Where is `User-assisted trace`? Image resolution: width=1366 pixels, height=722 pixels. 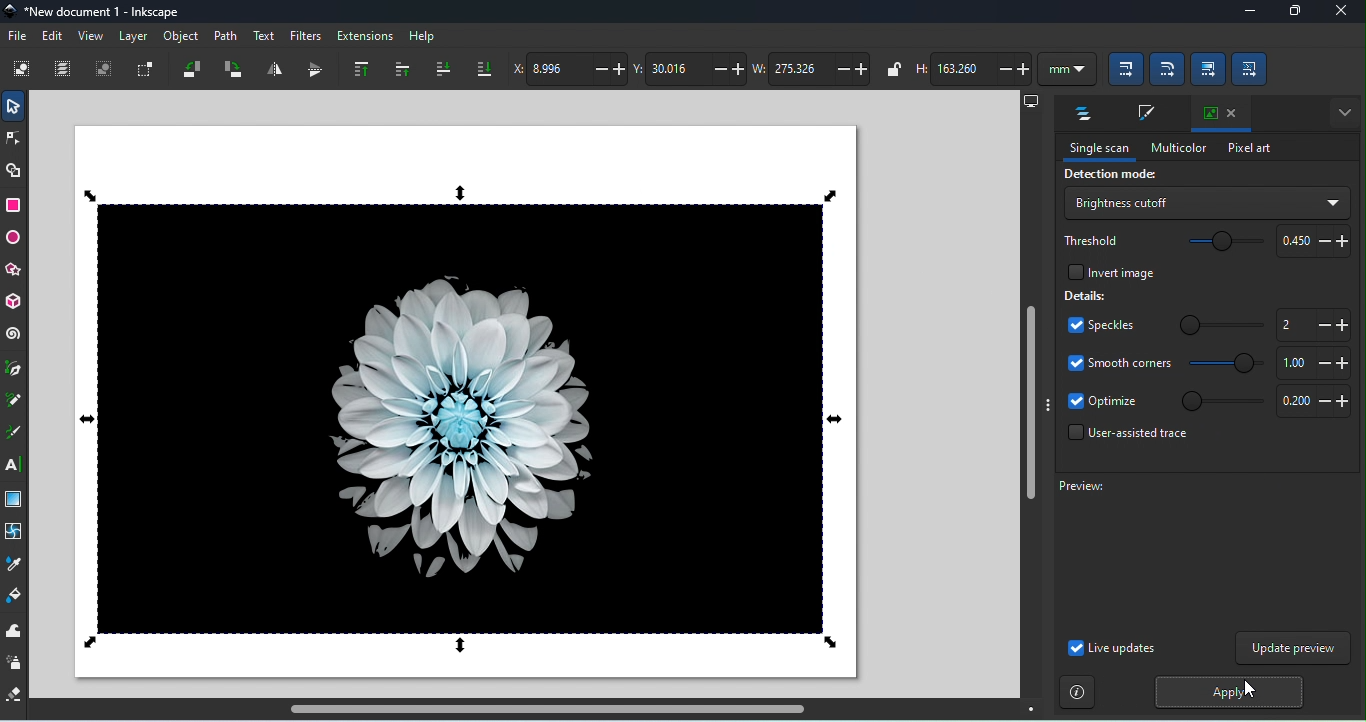
User-assisted trace is located at coordinates (1125, 436).